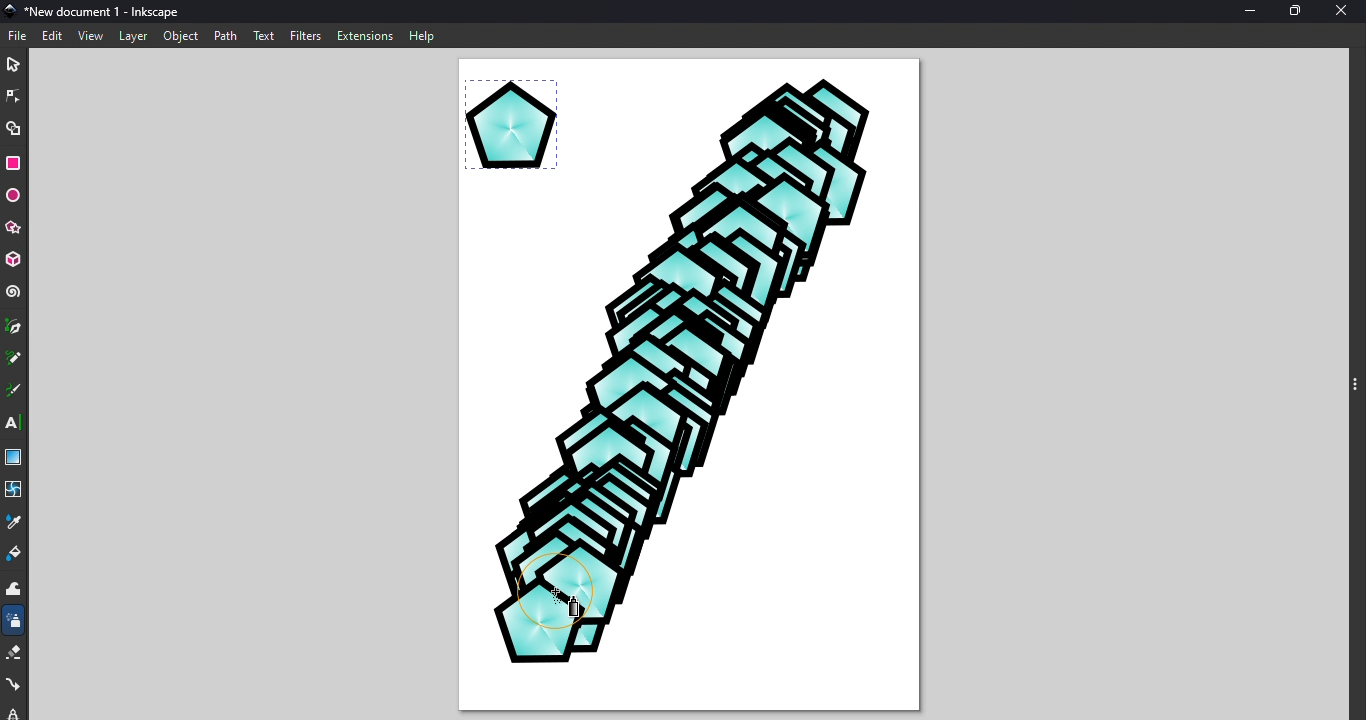  Describe the element at coordinates (13, 423) in the screenshot. I see `Text tool` at that location.